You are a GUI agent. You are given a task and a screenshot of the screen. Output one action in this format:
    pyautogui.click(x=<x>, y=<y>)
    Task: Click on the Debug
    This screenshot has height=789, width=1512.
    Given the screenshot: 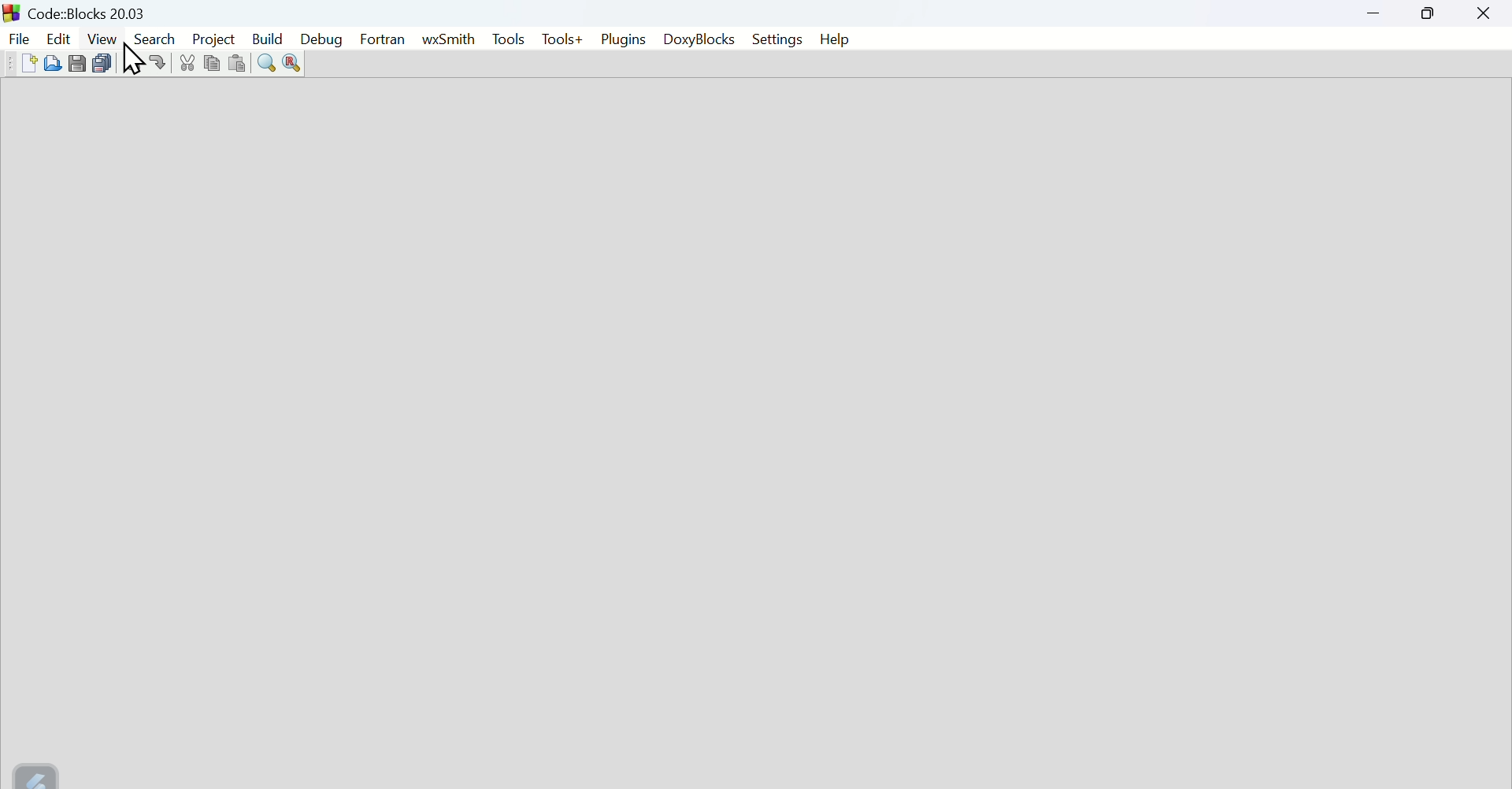 What is the action you would take?
    pyautogui.click(x=321, y=40)
    